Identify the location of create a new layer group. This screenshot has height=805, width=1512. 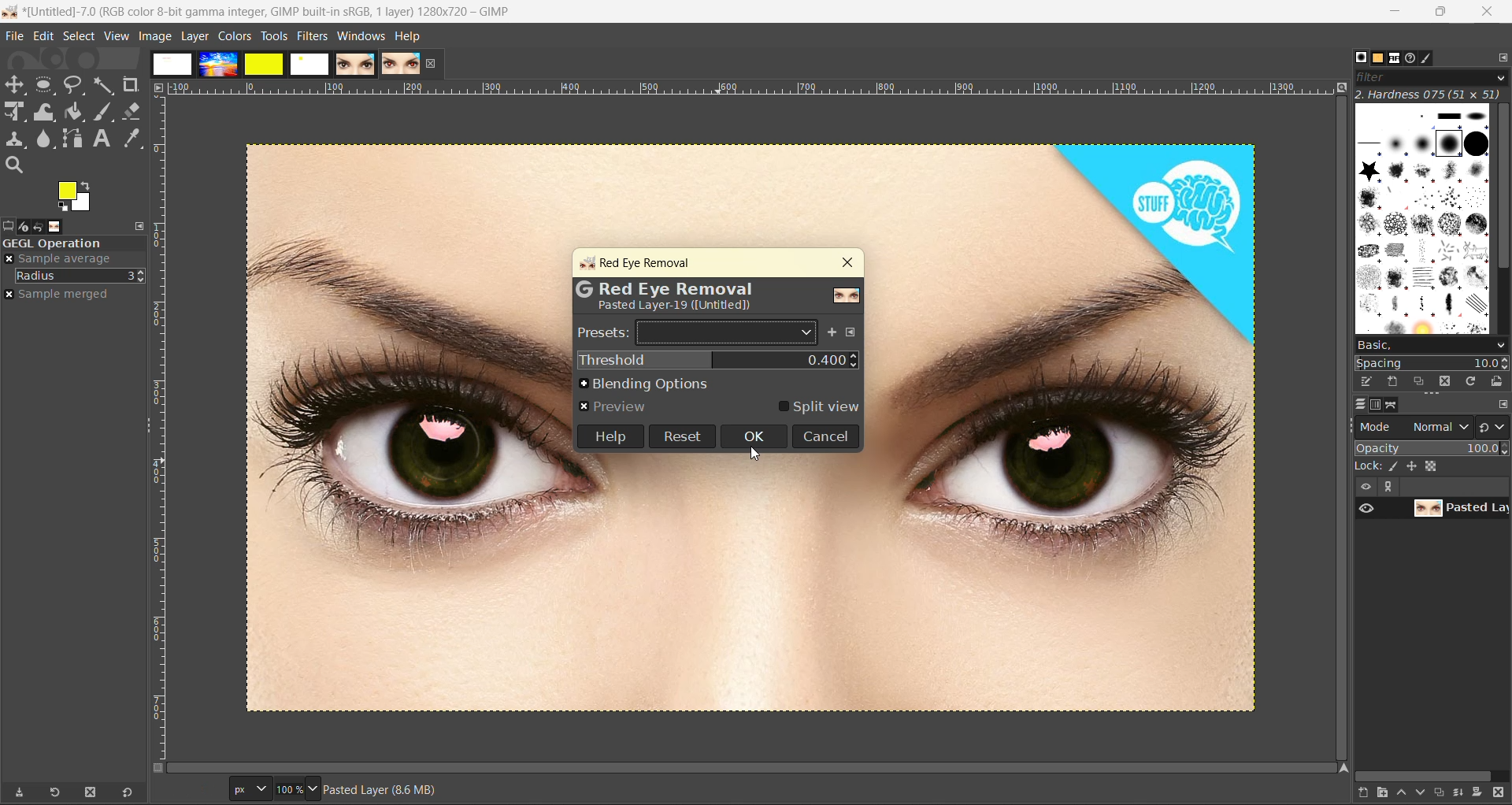
(1376, 794).